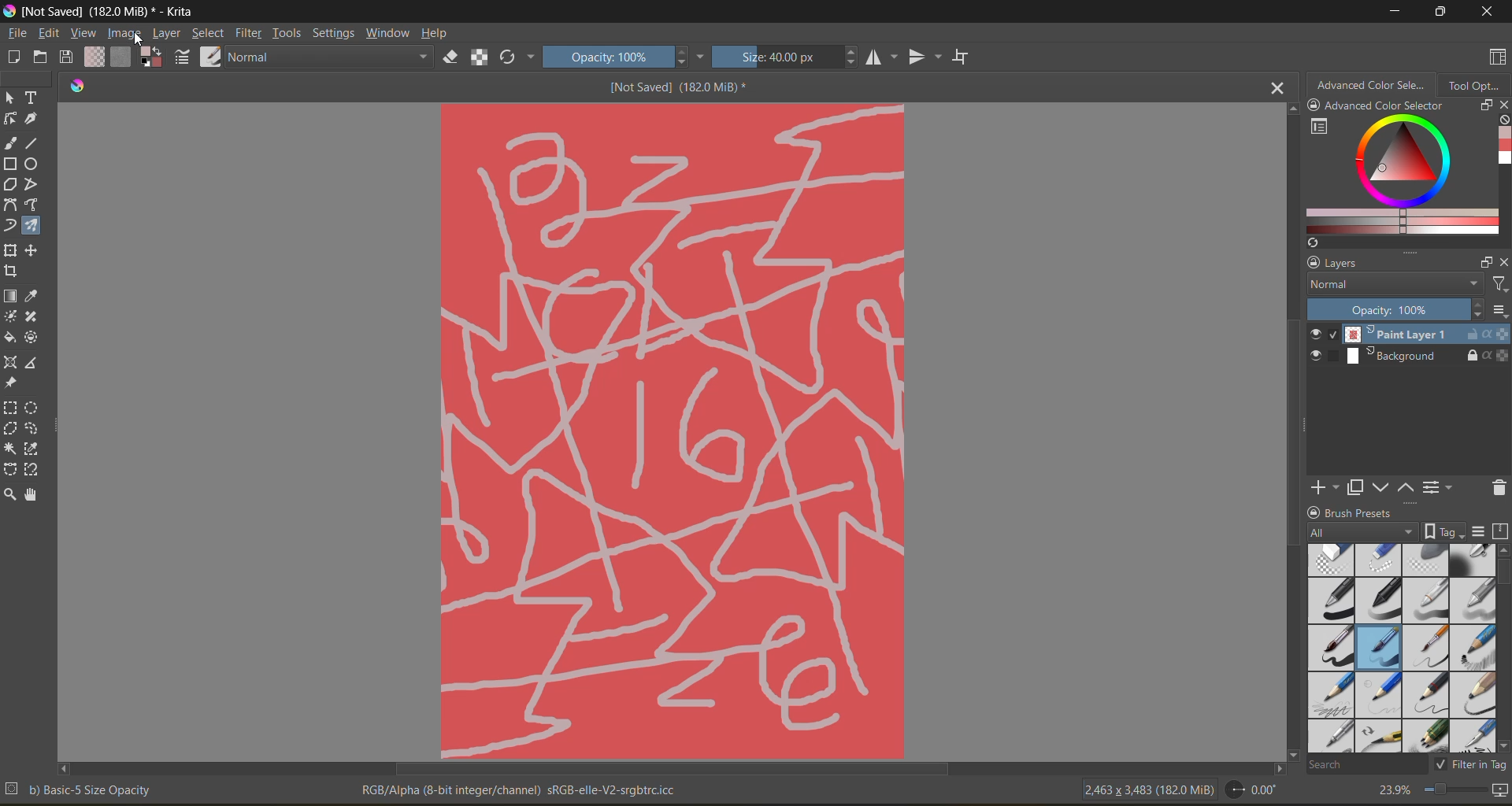 The width and height of the screenshot is (1512, 806). What do you see at coordinates (65, 766) in the screenshot?
I see `Scroll left` at bounding box center [65, 766].